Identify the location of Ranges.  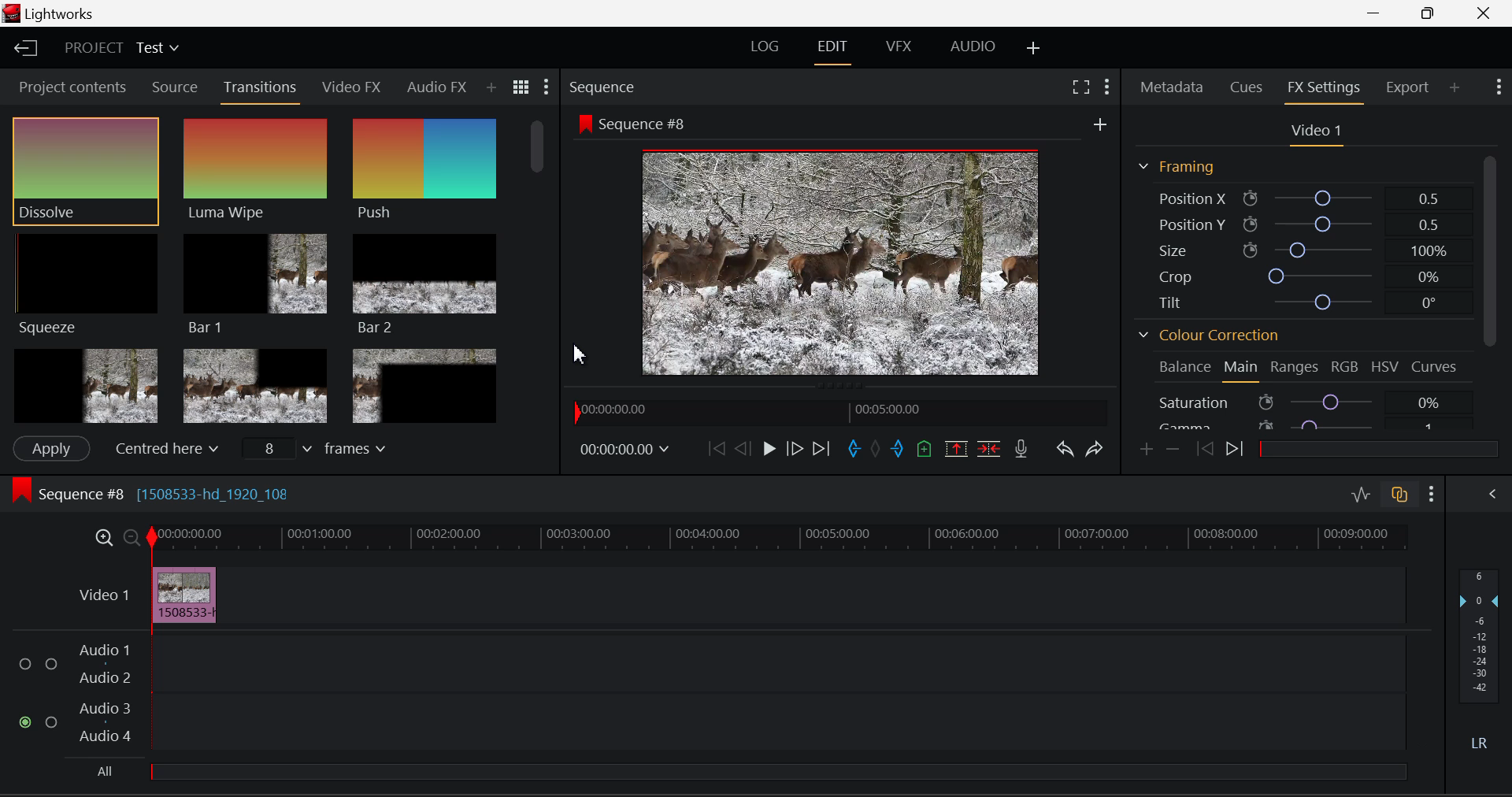
(1296, 369).